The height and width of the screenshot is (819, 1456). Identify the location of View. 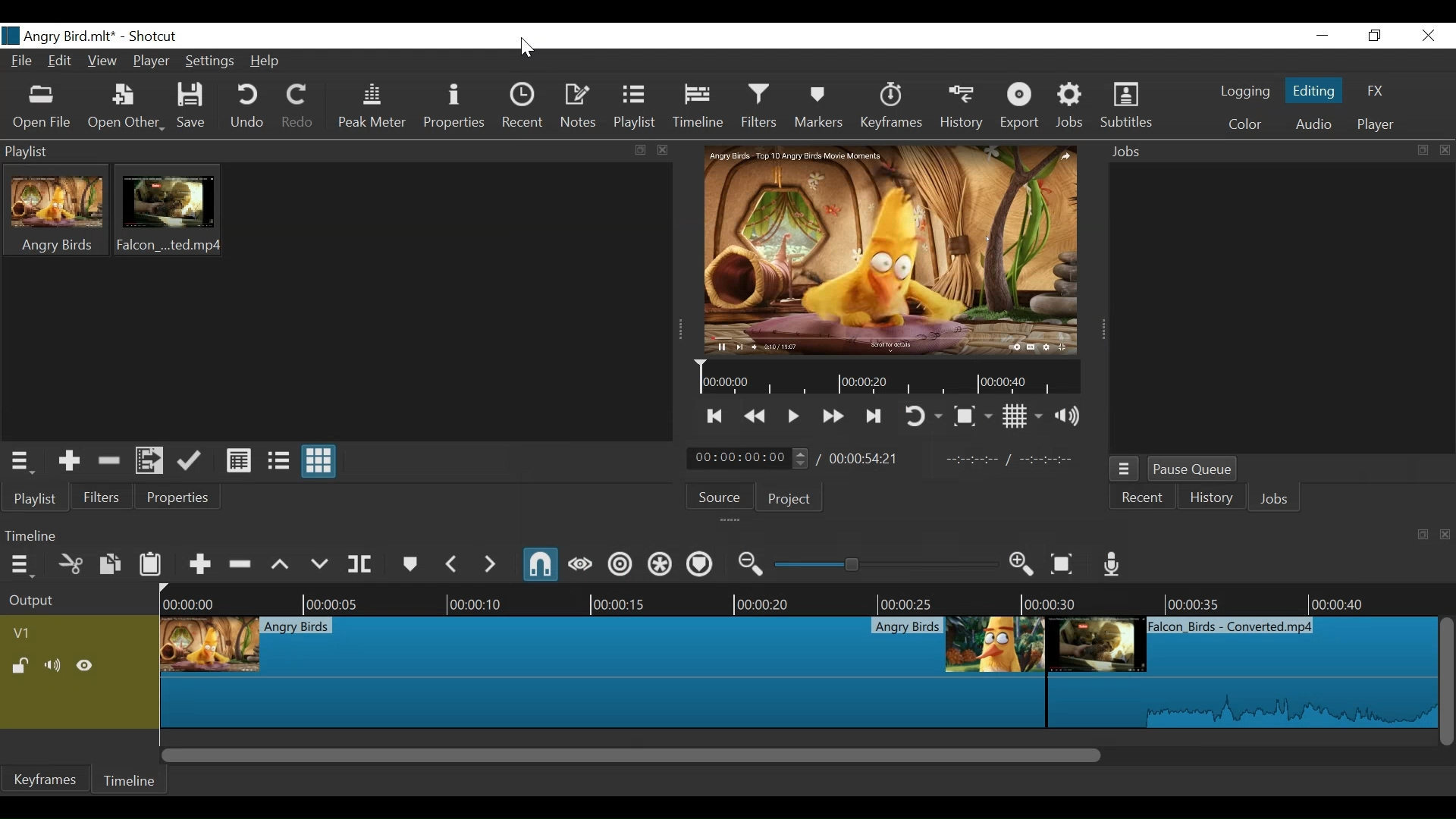
(103, 61).